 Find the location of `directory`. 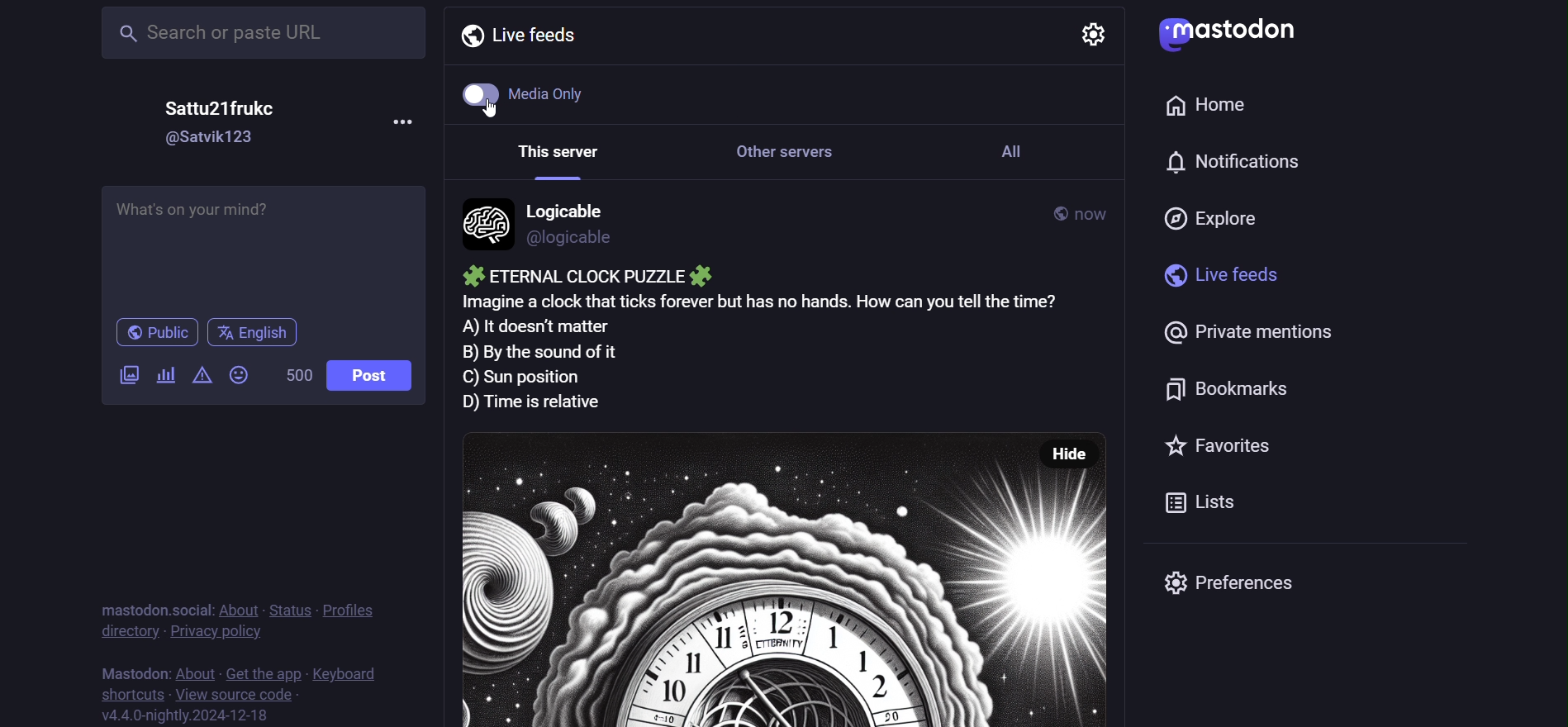

directory is located at coordinates (122, 633).